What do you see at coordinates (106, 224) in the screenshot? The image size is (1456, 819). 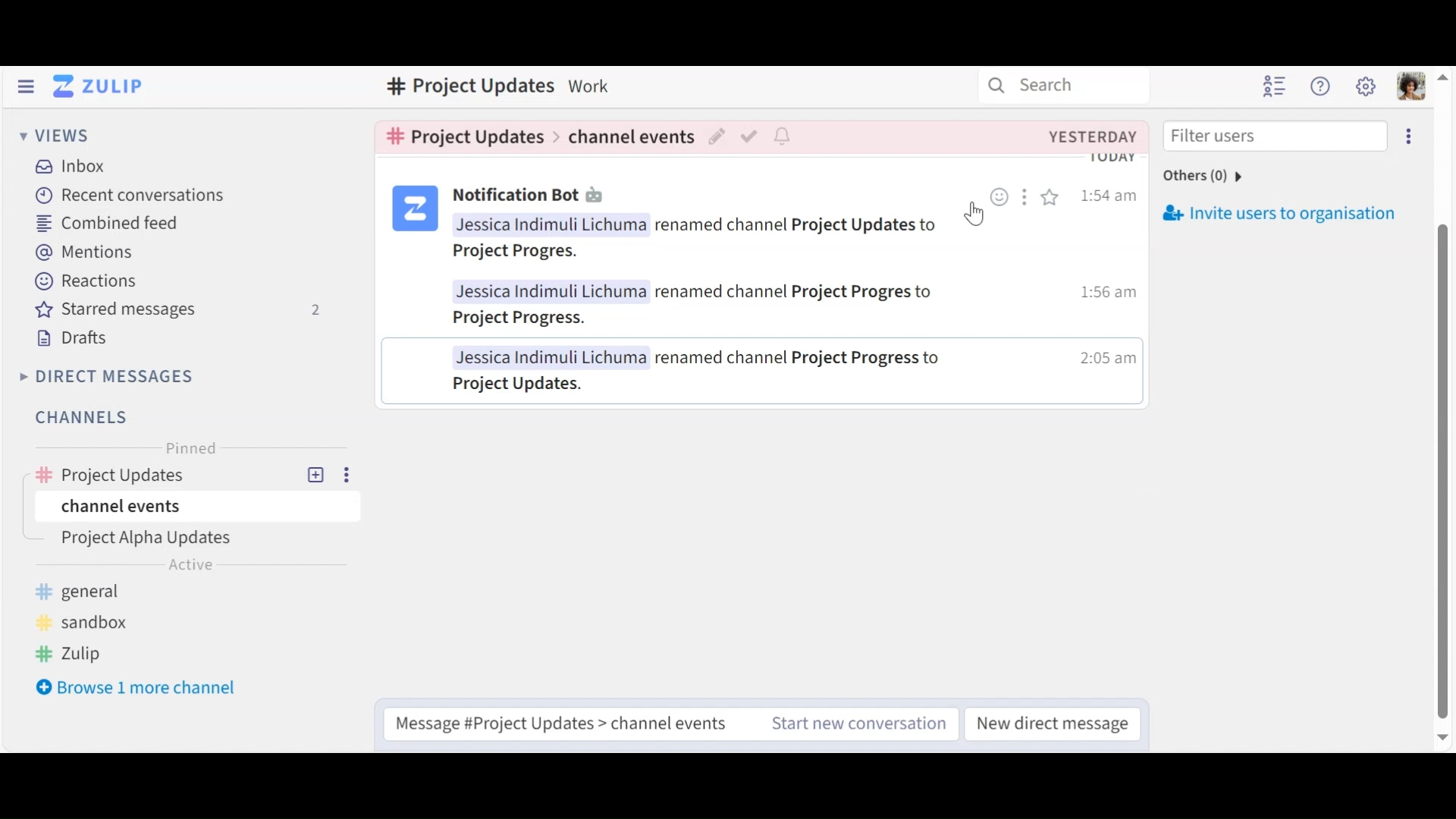 I see `Combined feed` at bounding box center [106, 224].